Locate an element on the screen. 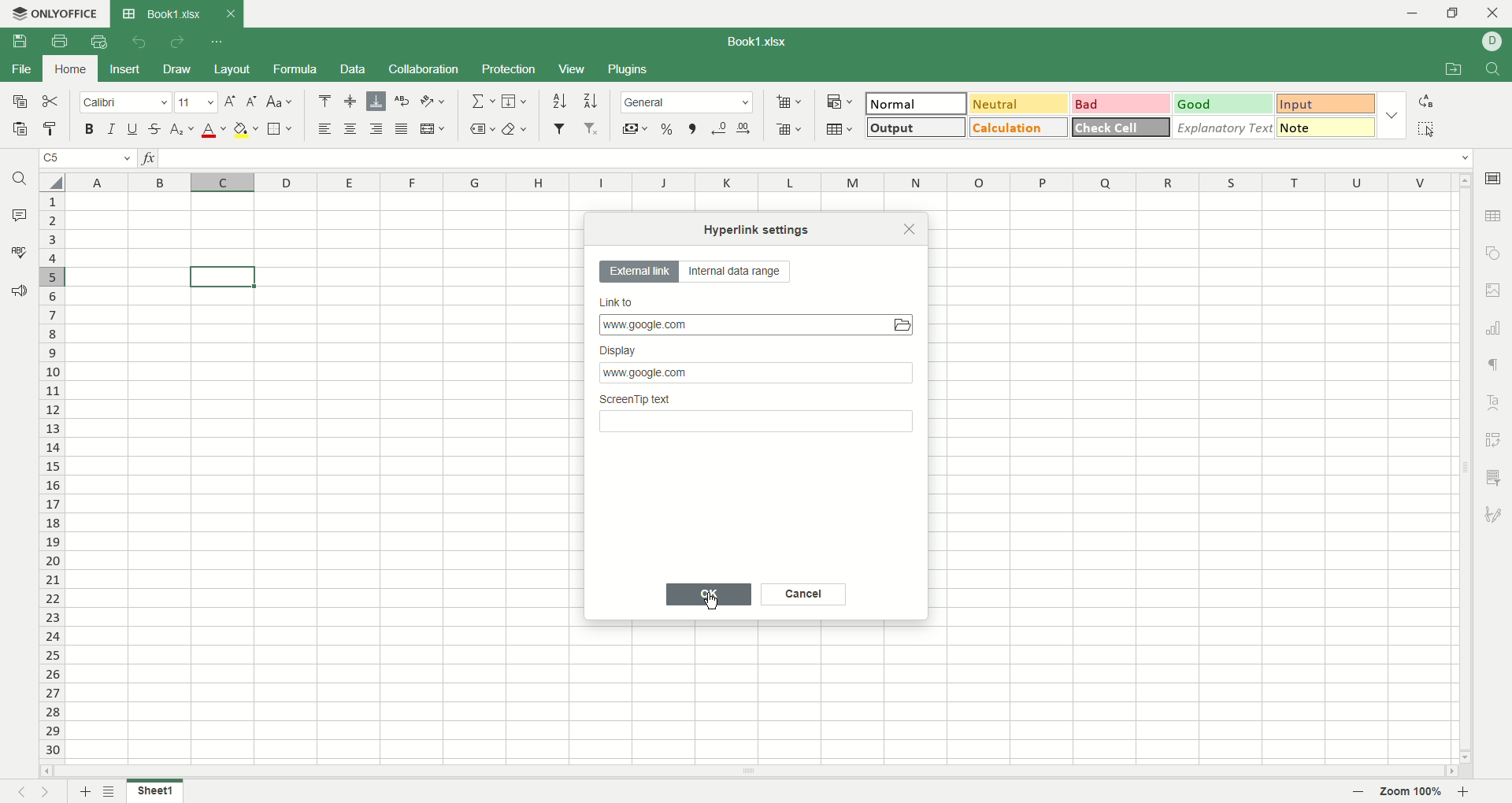 The height and width of the screenshot is (803, 1512). Book1.xslx is located at coordinates (176, 13).